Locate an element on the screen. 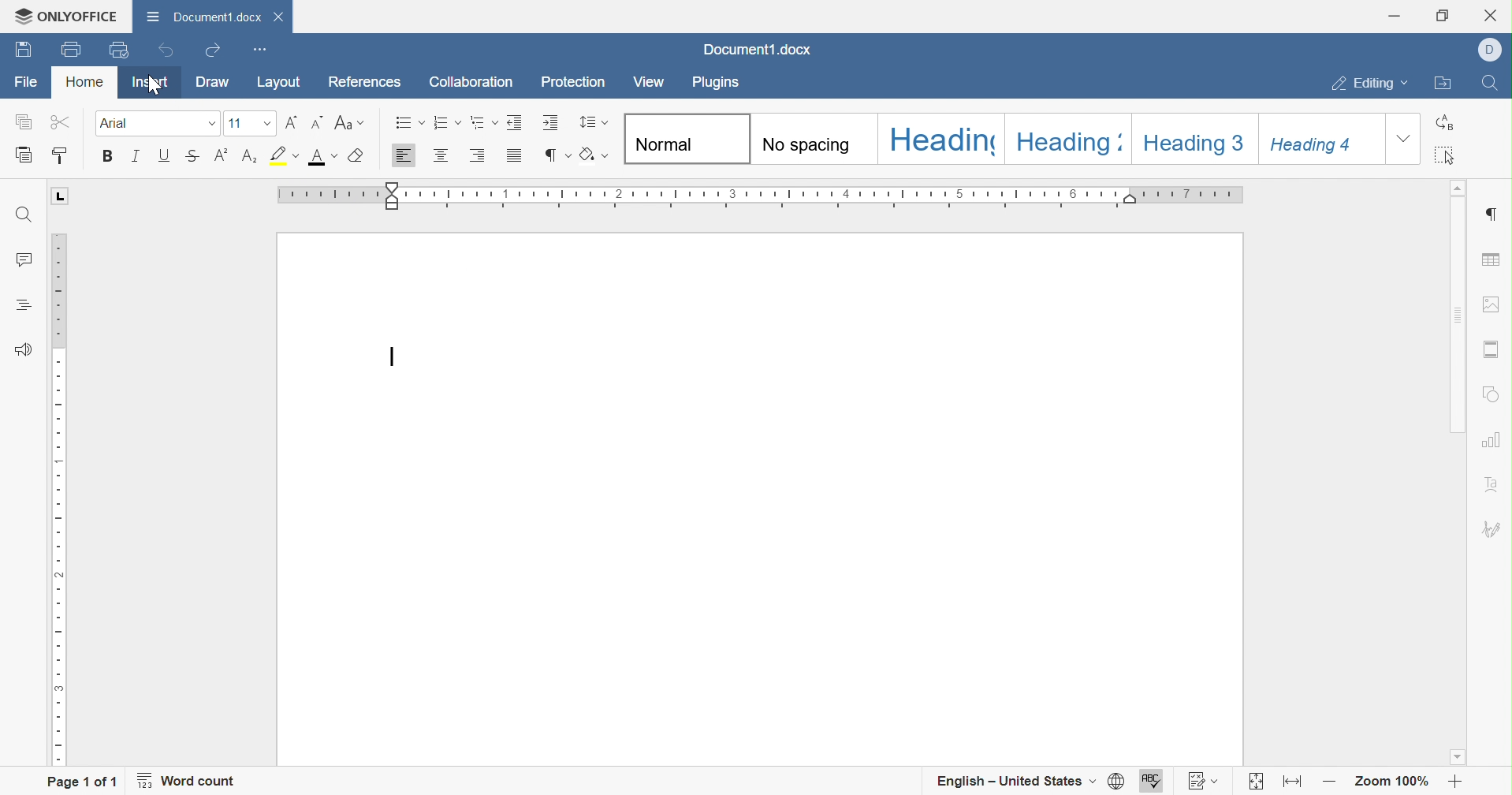  Heading3 is located at coordinates (1196, 140).